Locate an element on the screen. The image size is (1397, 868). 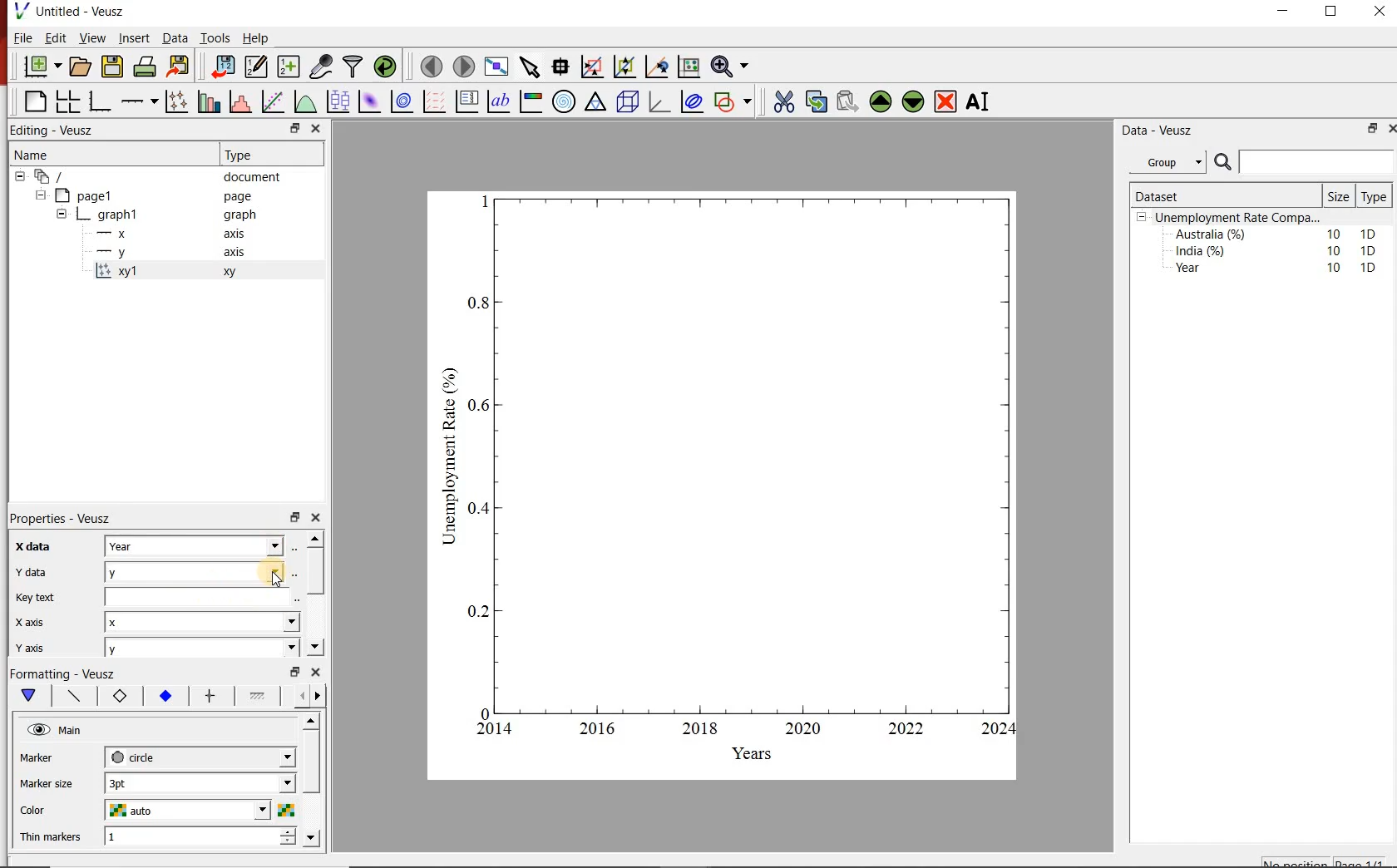
x axis is located at coordinates (31, 622).